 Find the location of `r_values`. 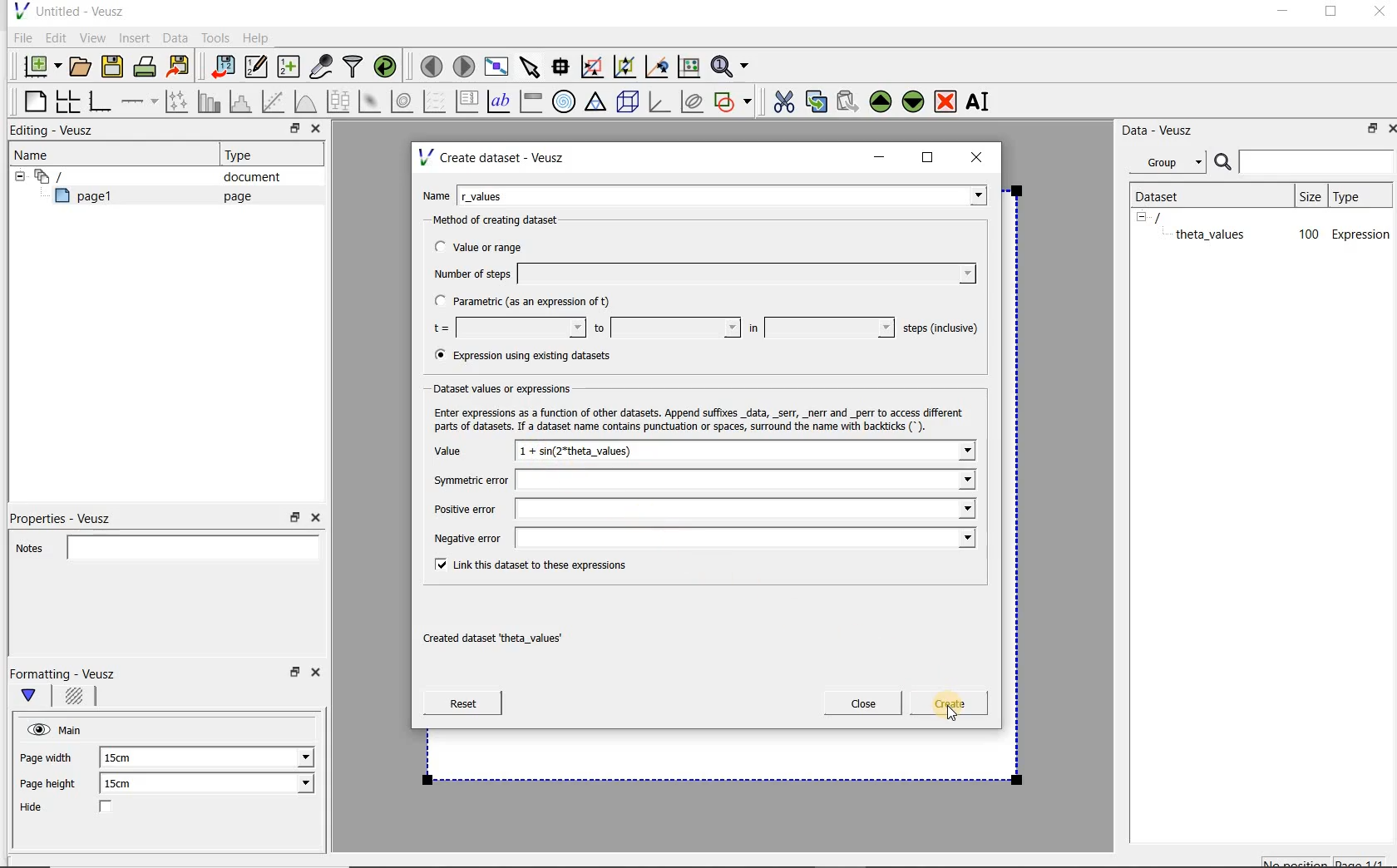

r_values is located at coordinates (723, 194).